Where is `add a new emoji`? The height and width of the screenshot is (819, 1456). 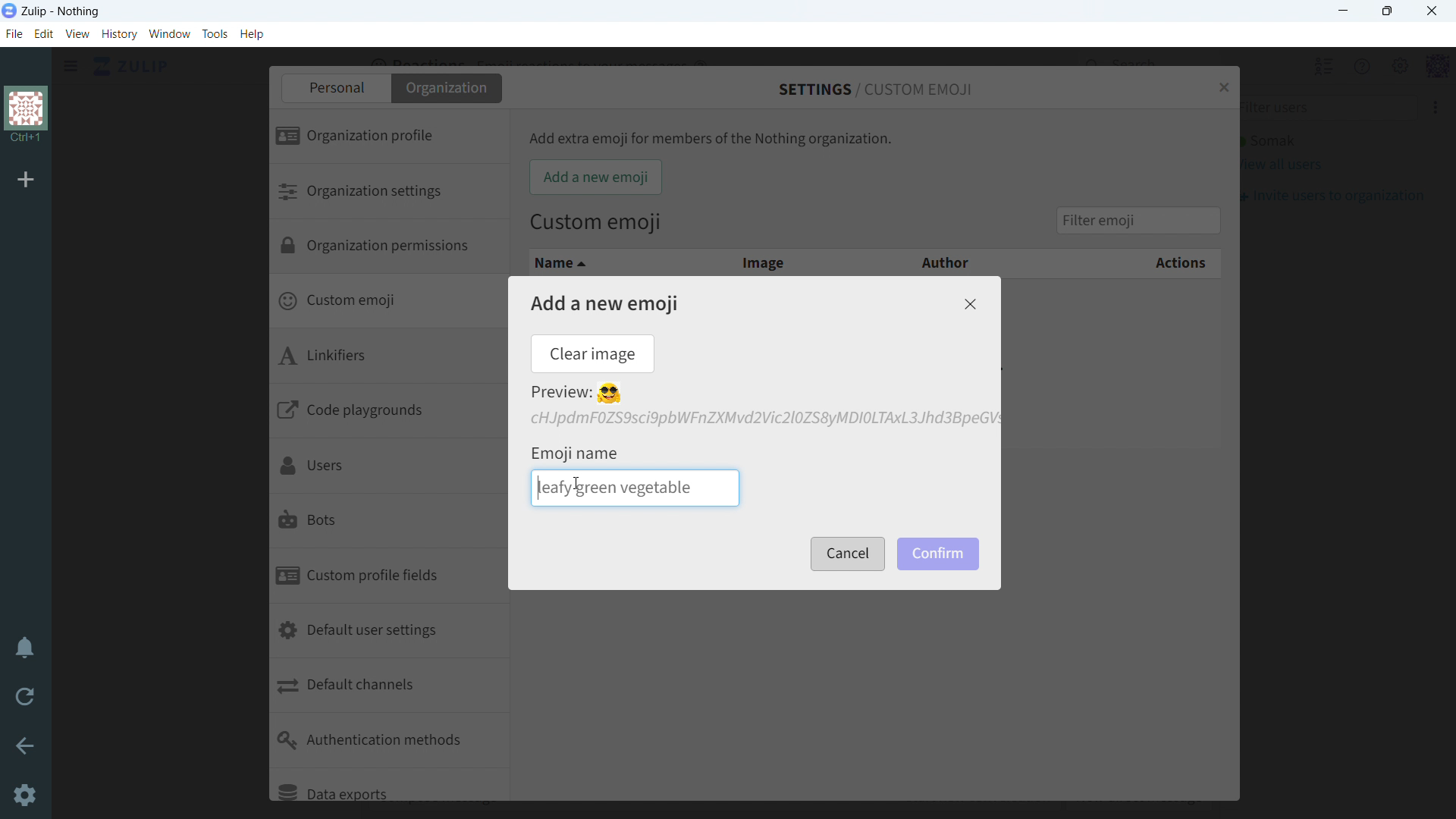
add a new emoji is located at coordinates (604, 303).